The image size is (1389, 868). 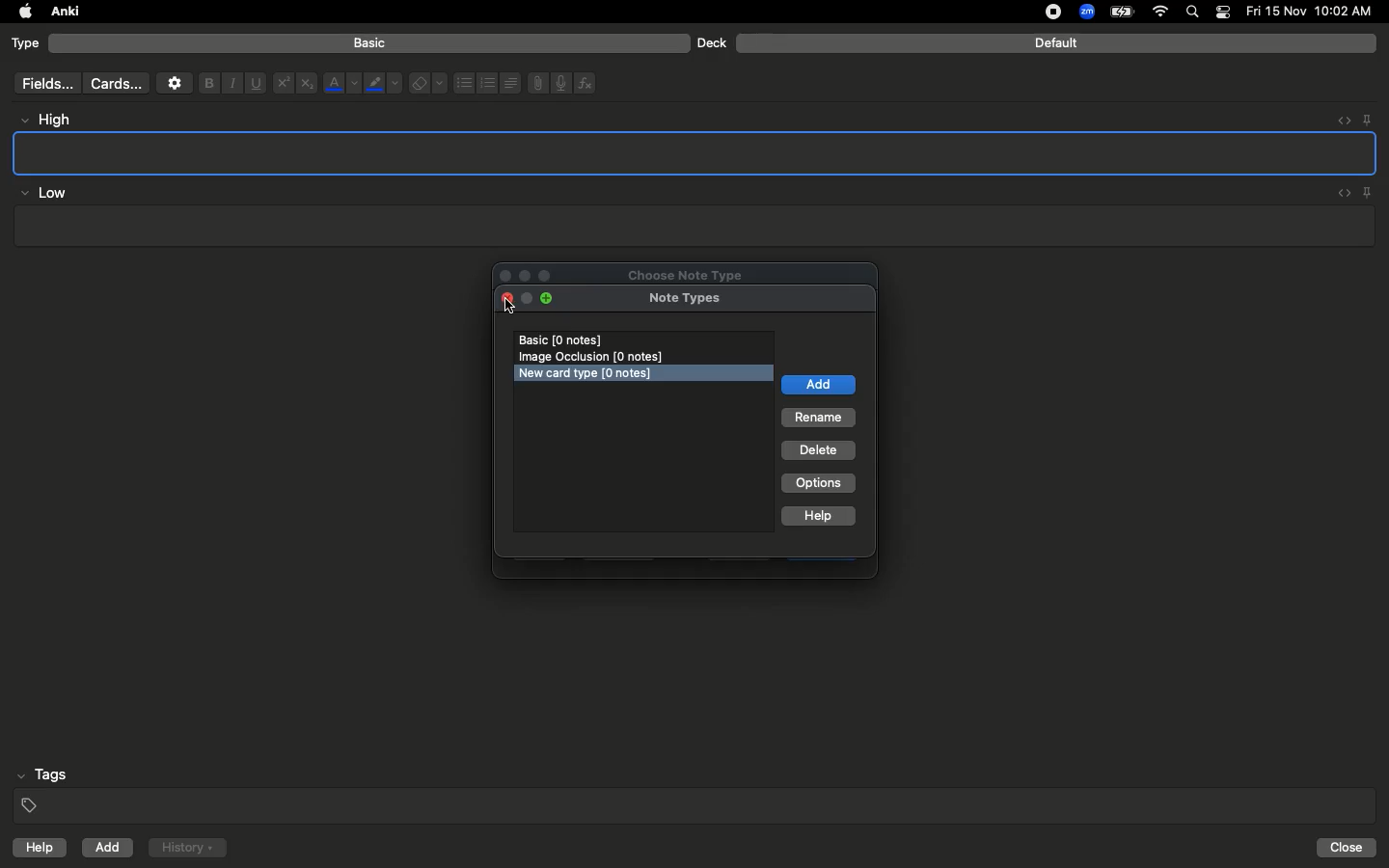 What do you see at coordinates (508, 81) in the screenshot?
I see `Alignment` at bounding box center [508, 81].